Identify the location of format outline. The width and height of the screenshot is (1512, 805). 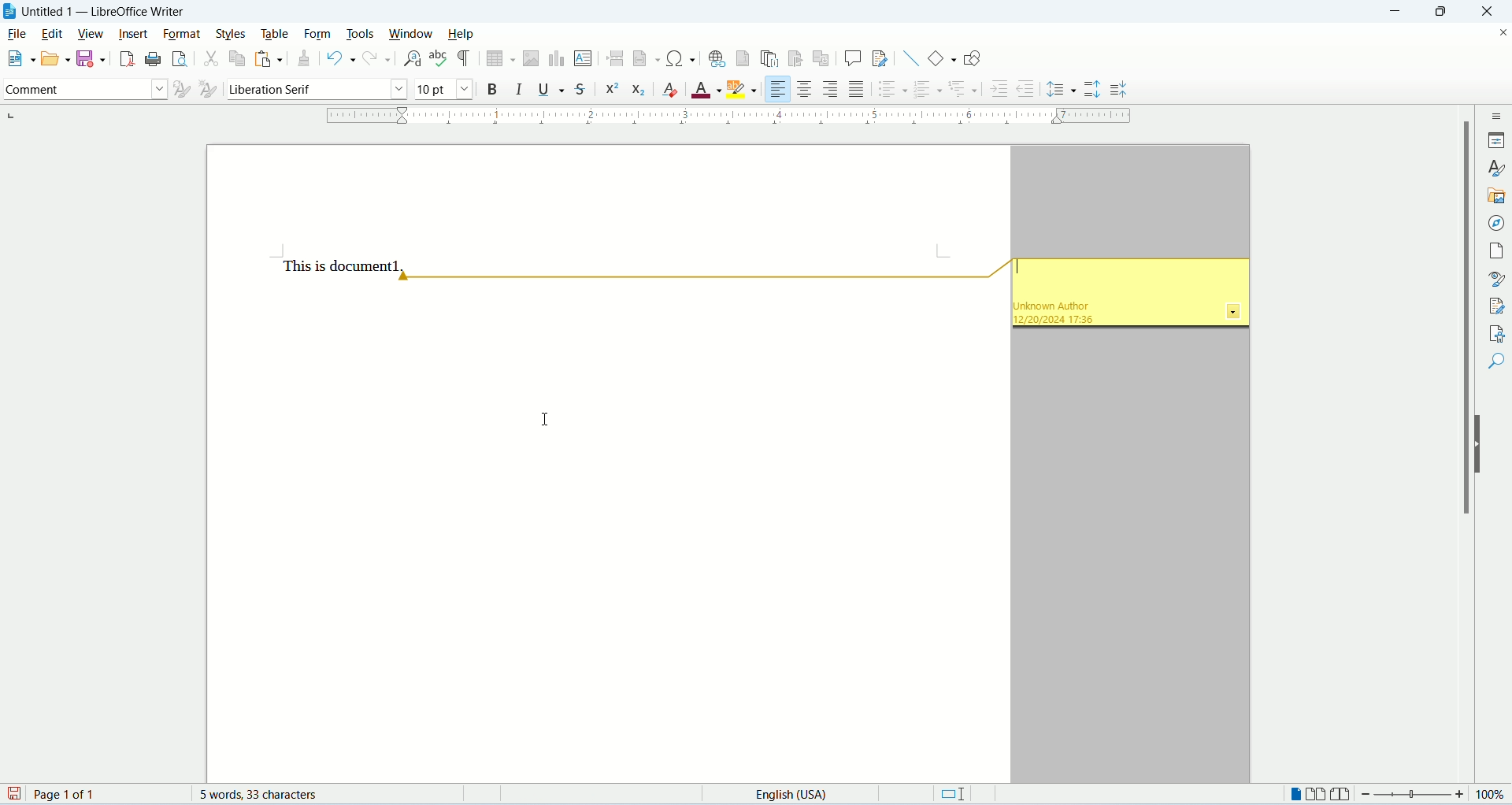
(963, 87).